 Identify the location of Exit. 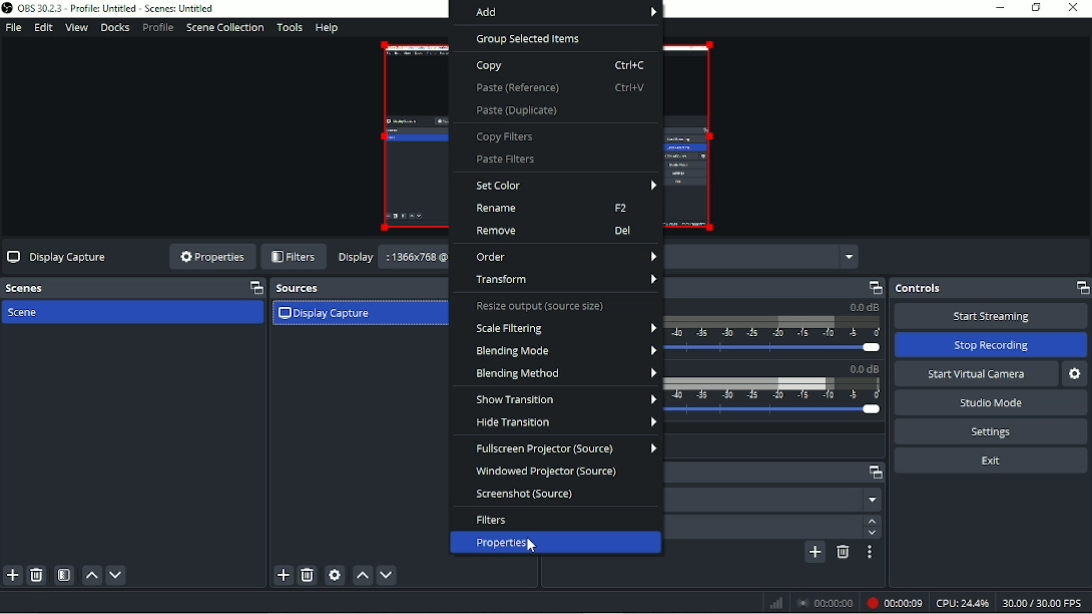
(992, 461).